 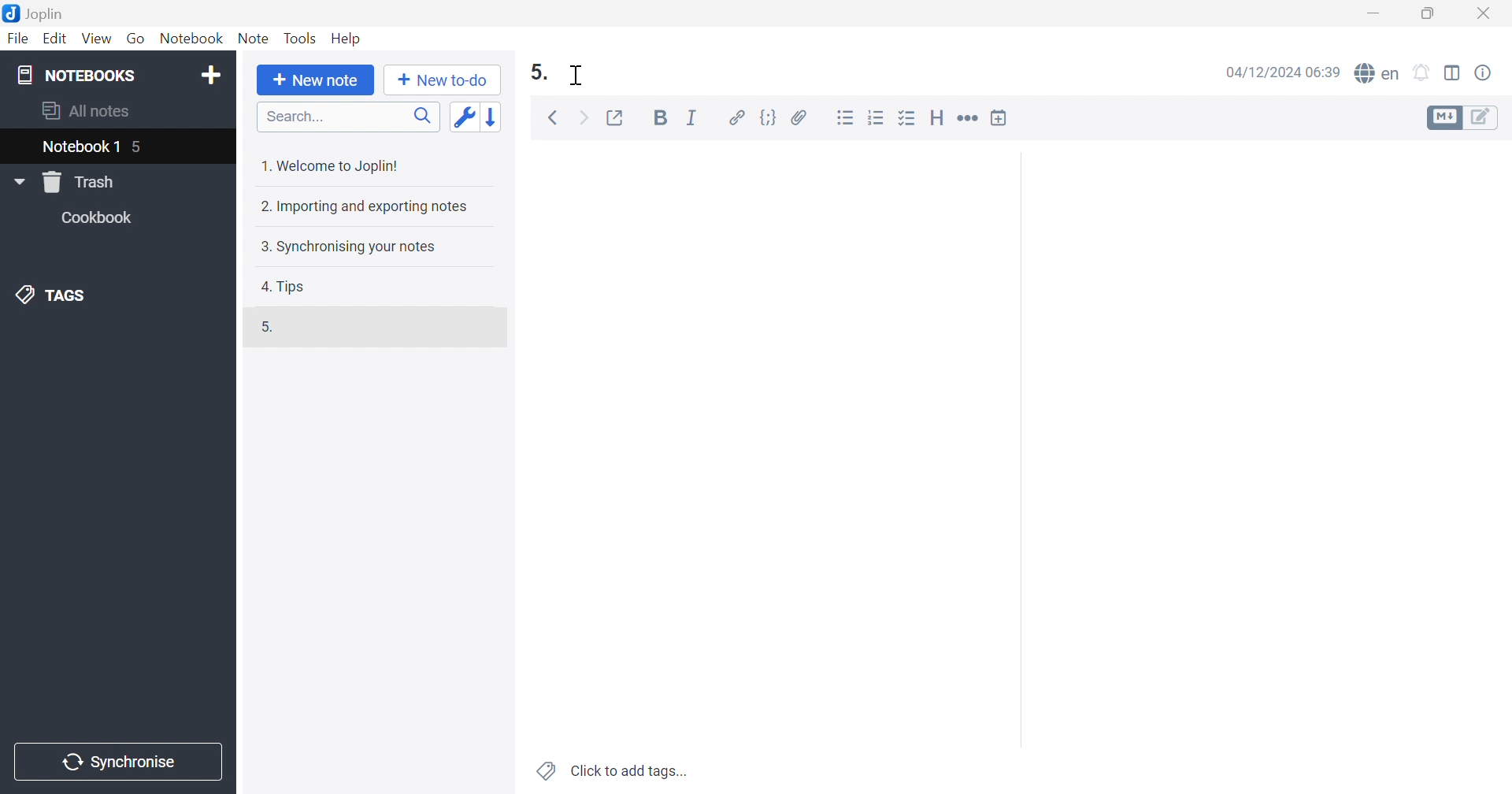 I want to click on Synchronise, so click(x=122, y=762).